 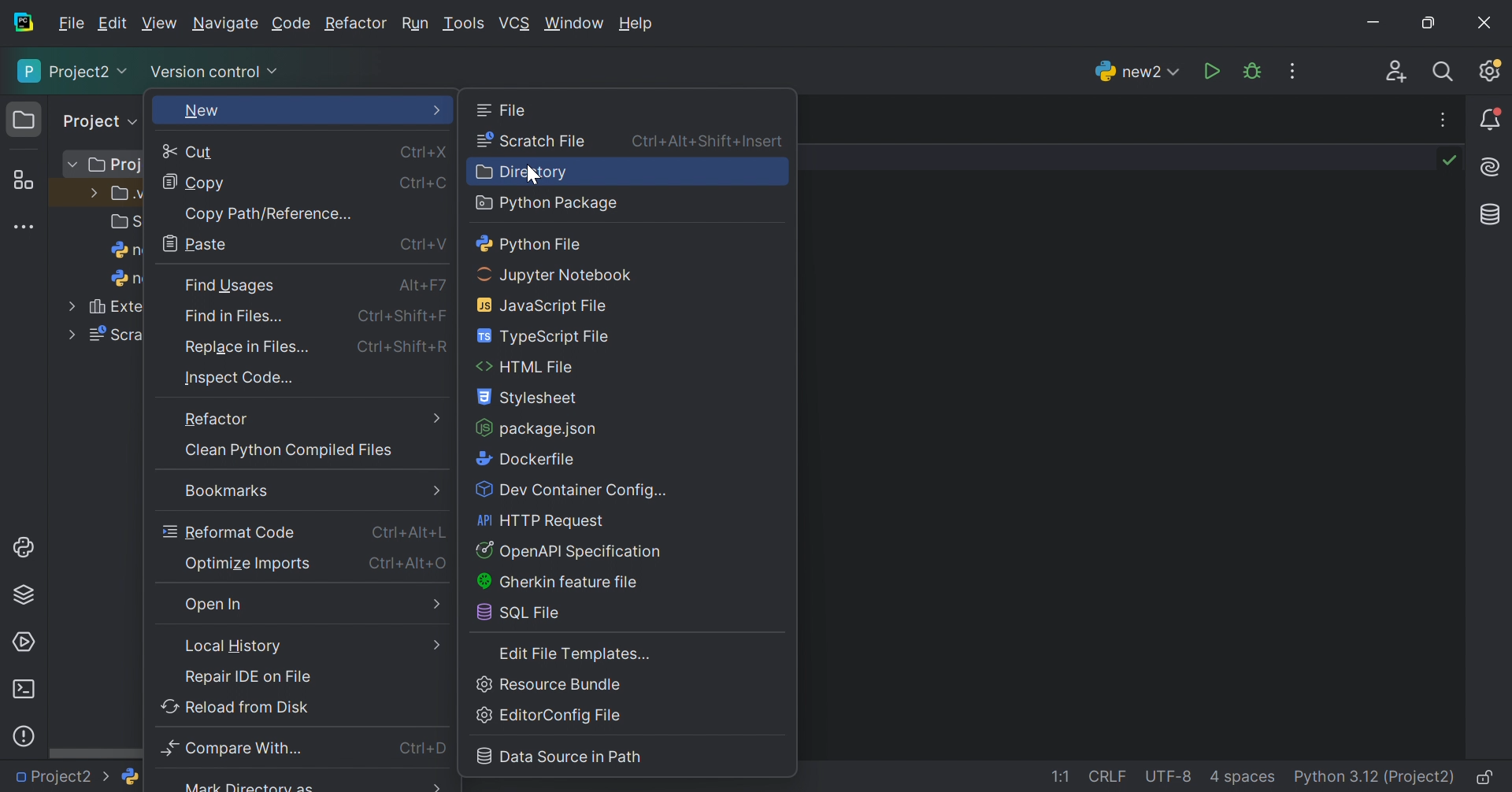 I want to click on More tool windows, so click(x=24, y=228).